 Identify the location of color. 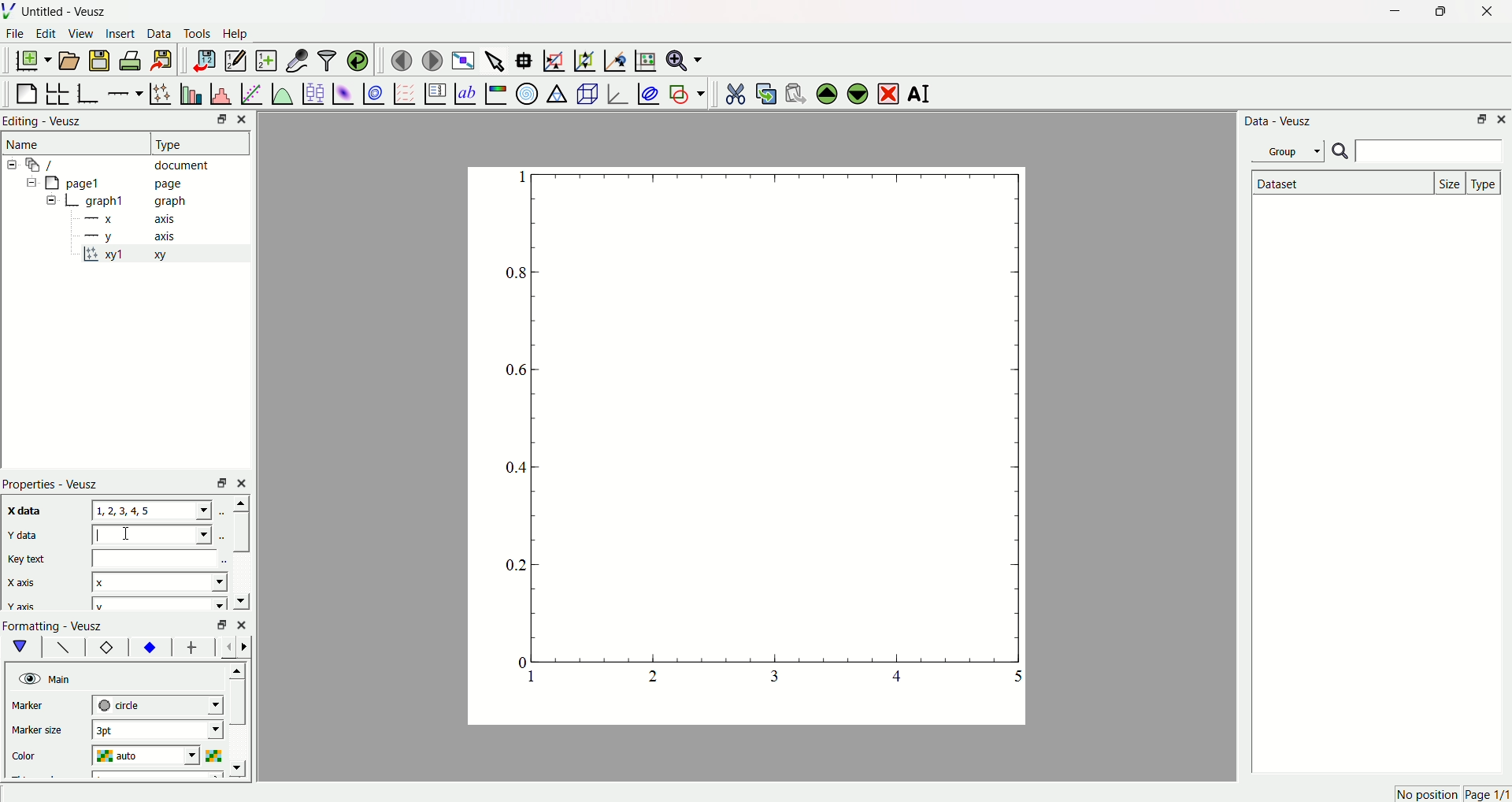
(41, 753).